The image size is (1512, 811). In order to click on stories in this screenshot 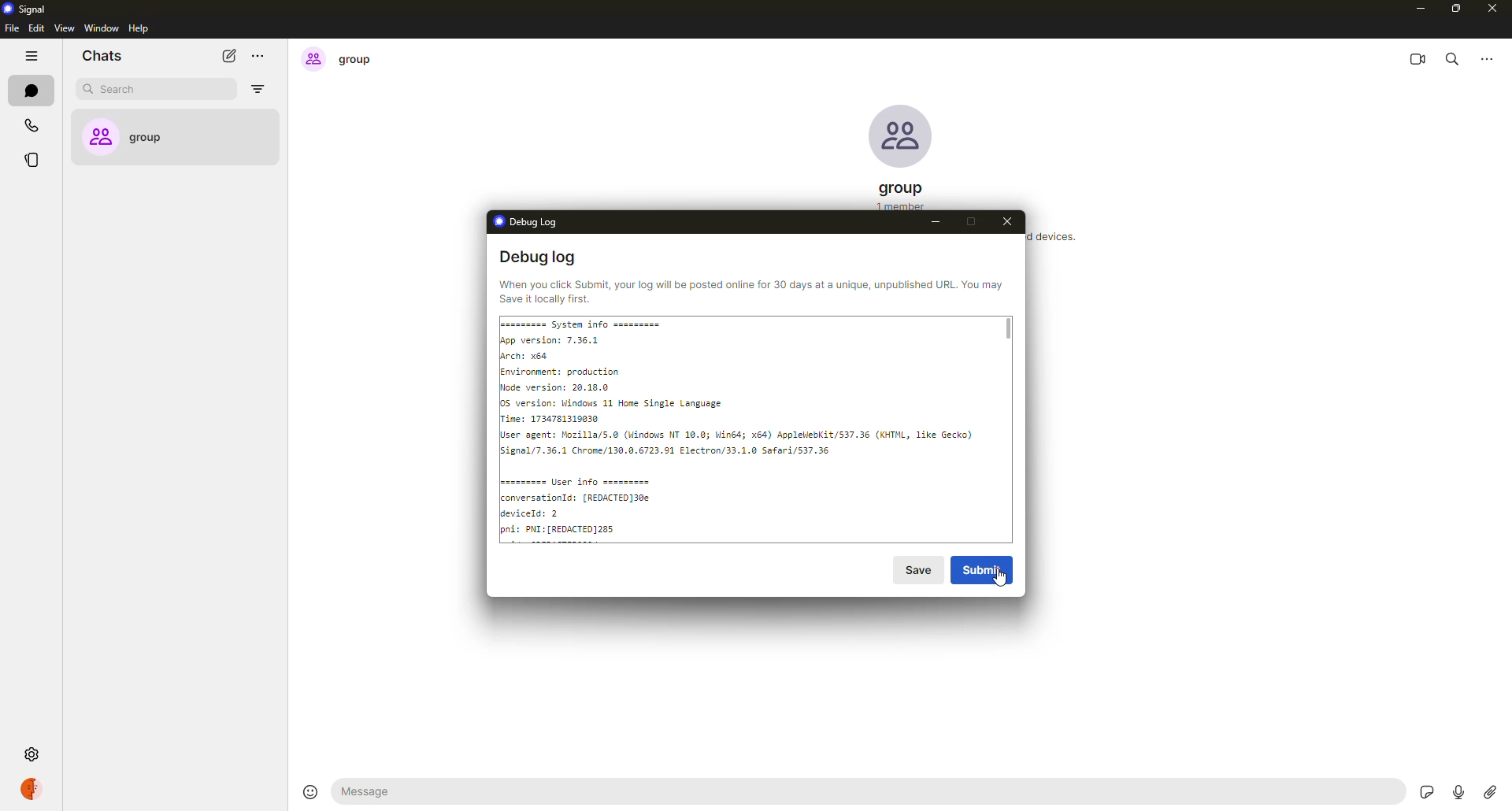, I will do `click(31, 160)`.